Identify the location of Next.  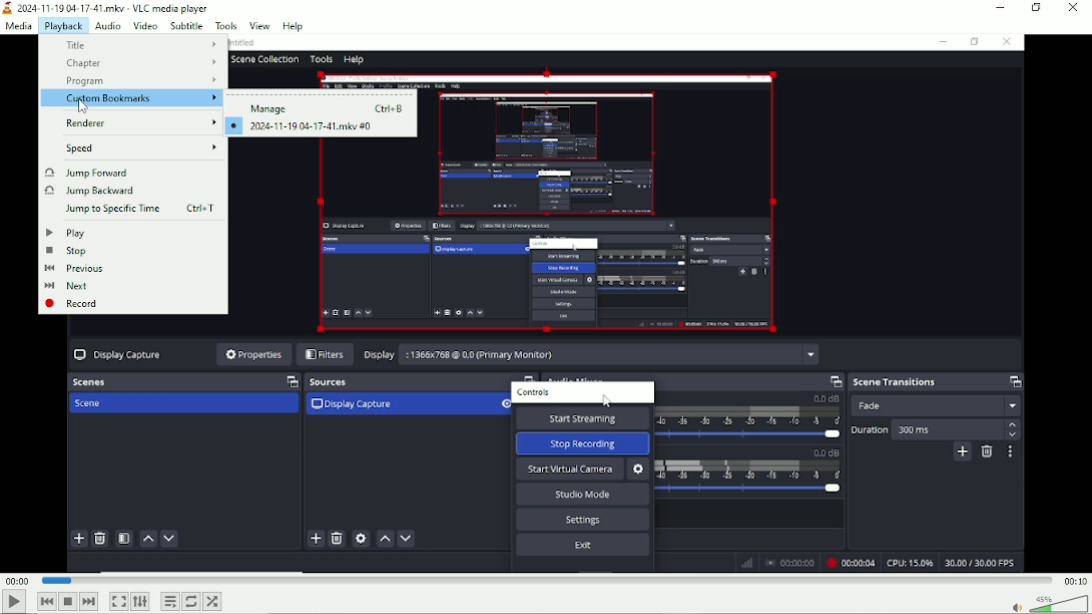
(66, 286).